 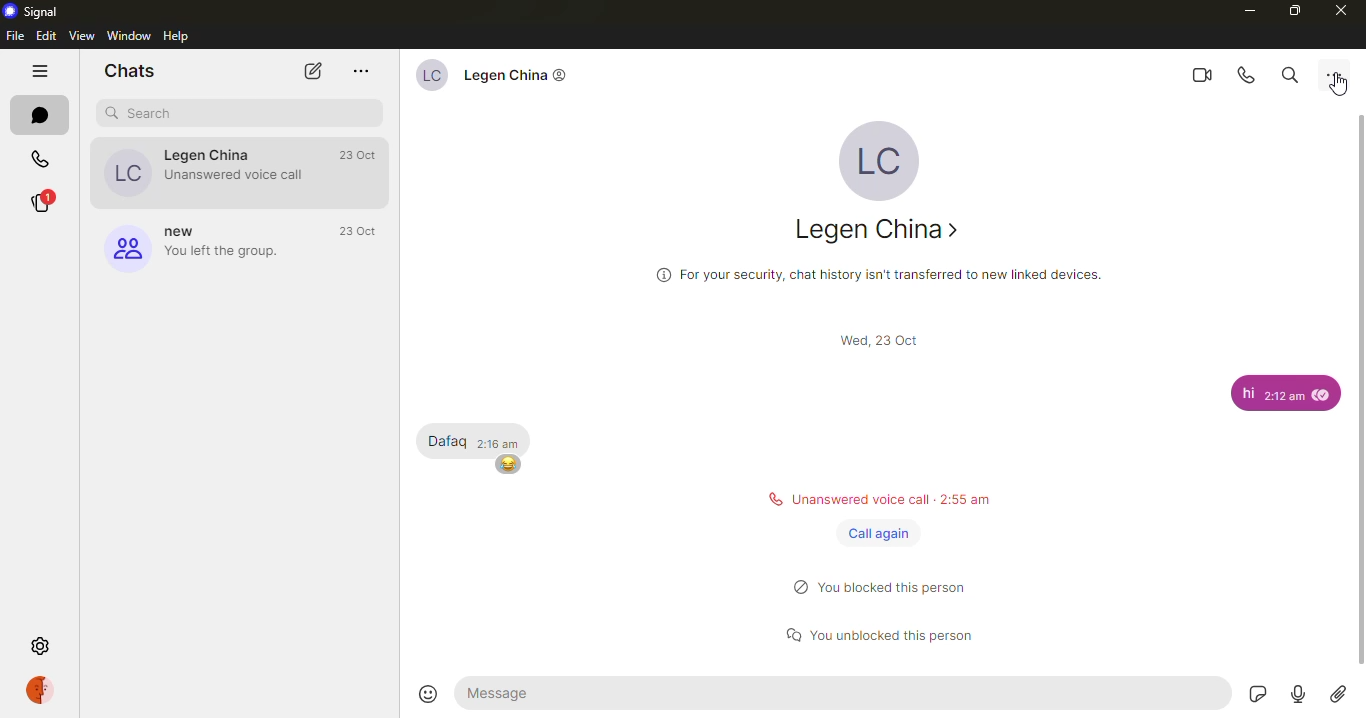 I want to click on message, so click(x=844, y=693).